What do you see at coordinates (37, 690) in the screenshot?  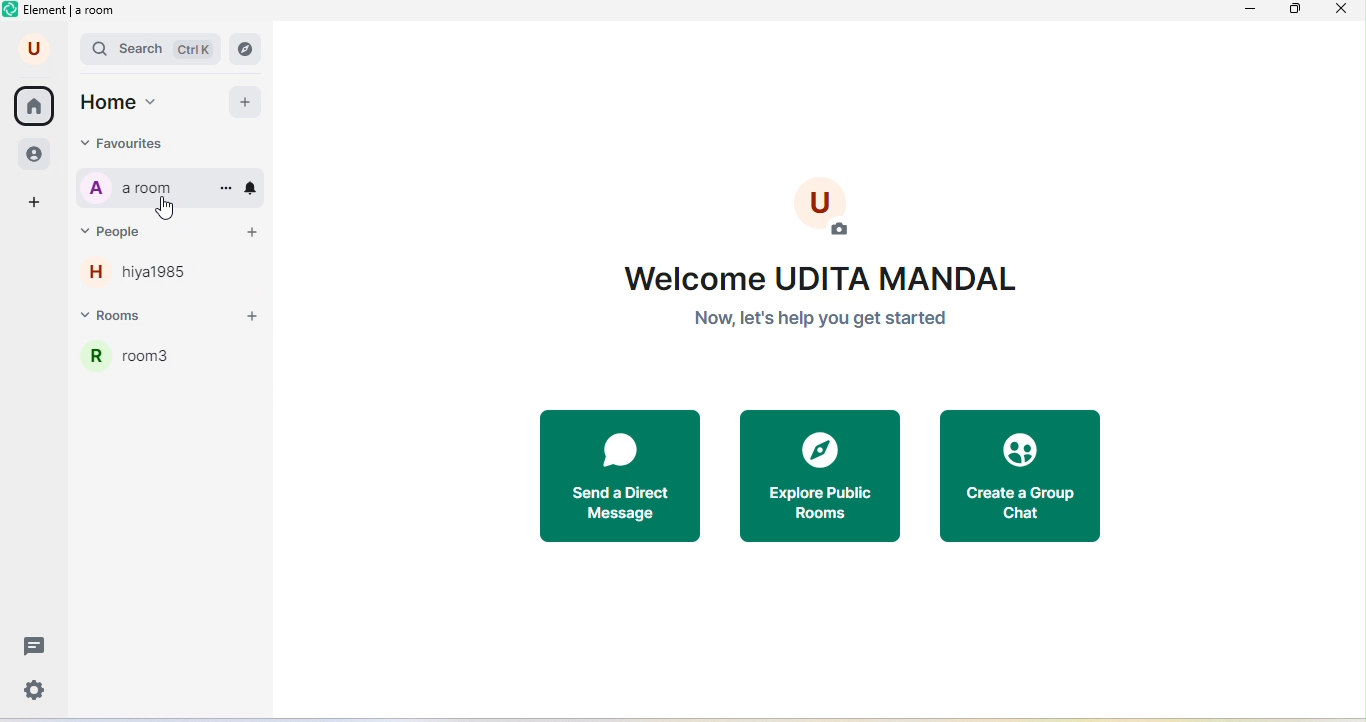 I see `settings` at bounding box center [37, 690].